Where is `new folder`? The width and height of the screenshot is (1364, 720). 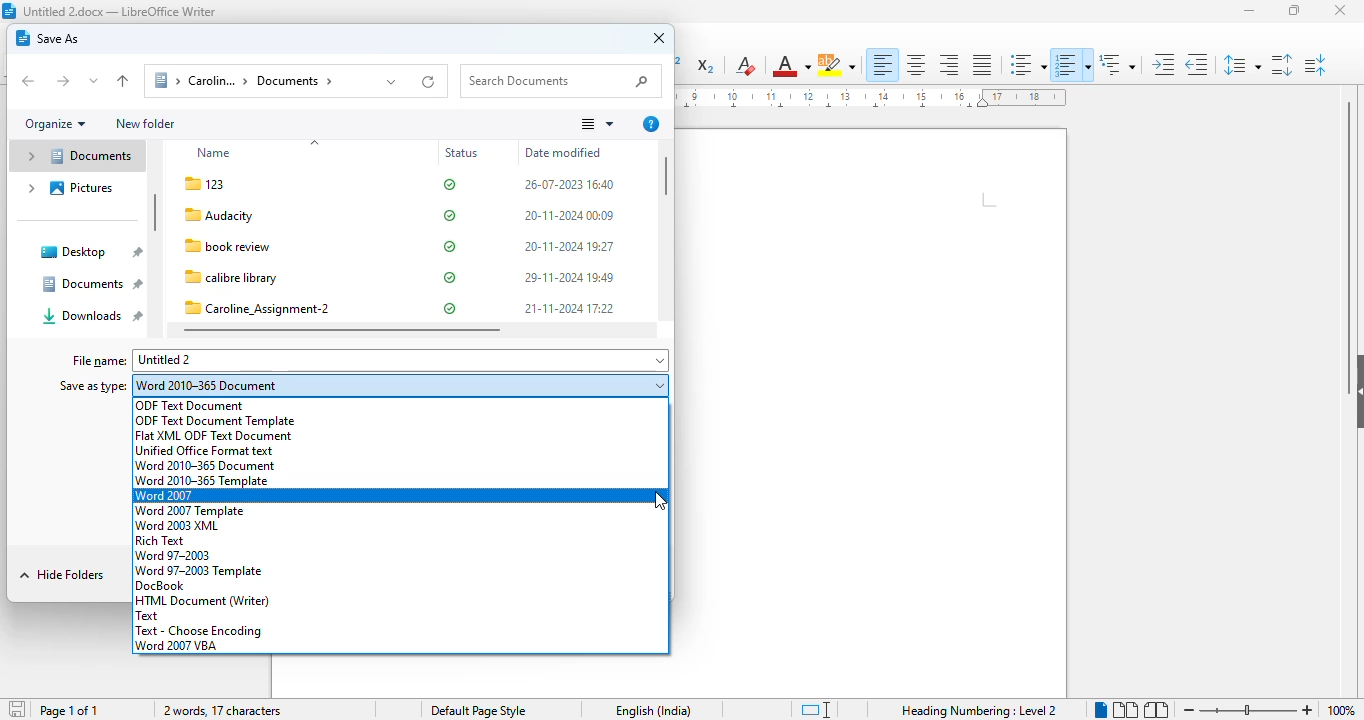
new folder is located at coordinates (145, 123).